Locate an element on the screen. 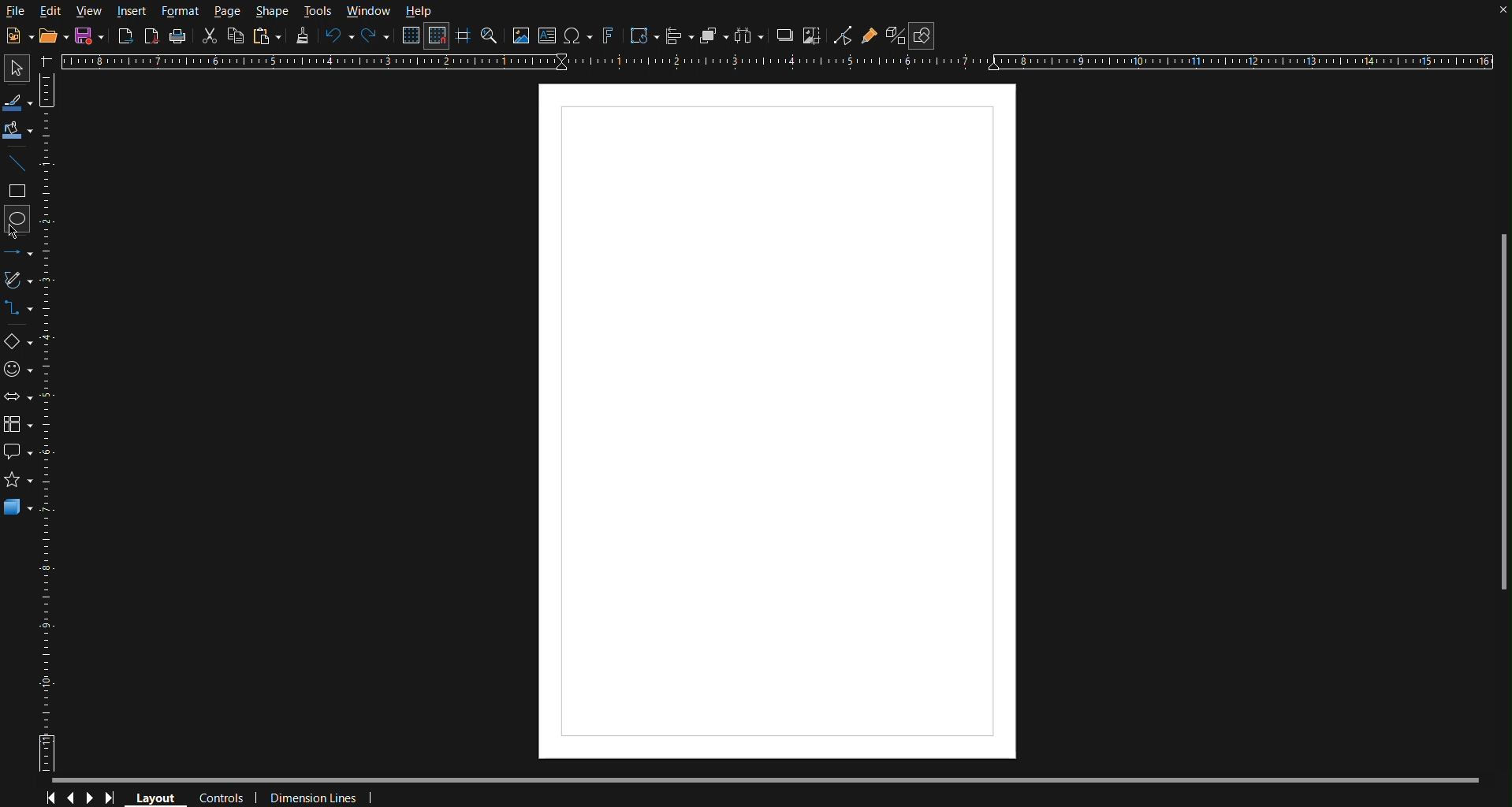  Insert is located at coordinates (131, 9).